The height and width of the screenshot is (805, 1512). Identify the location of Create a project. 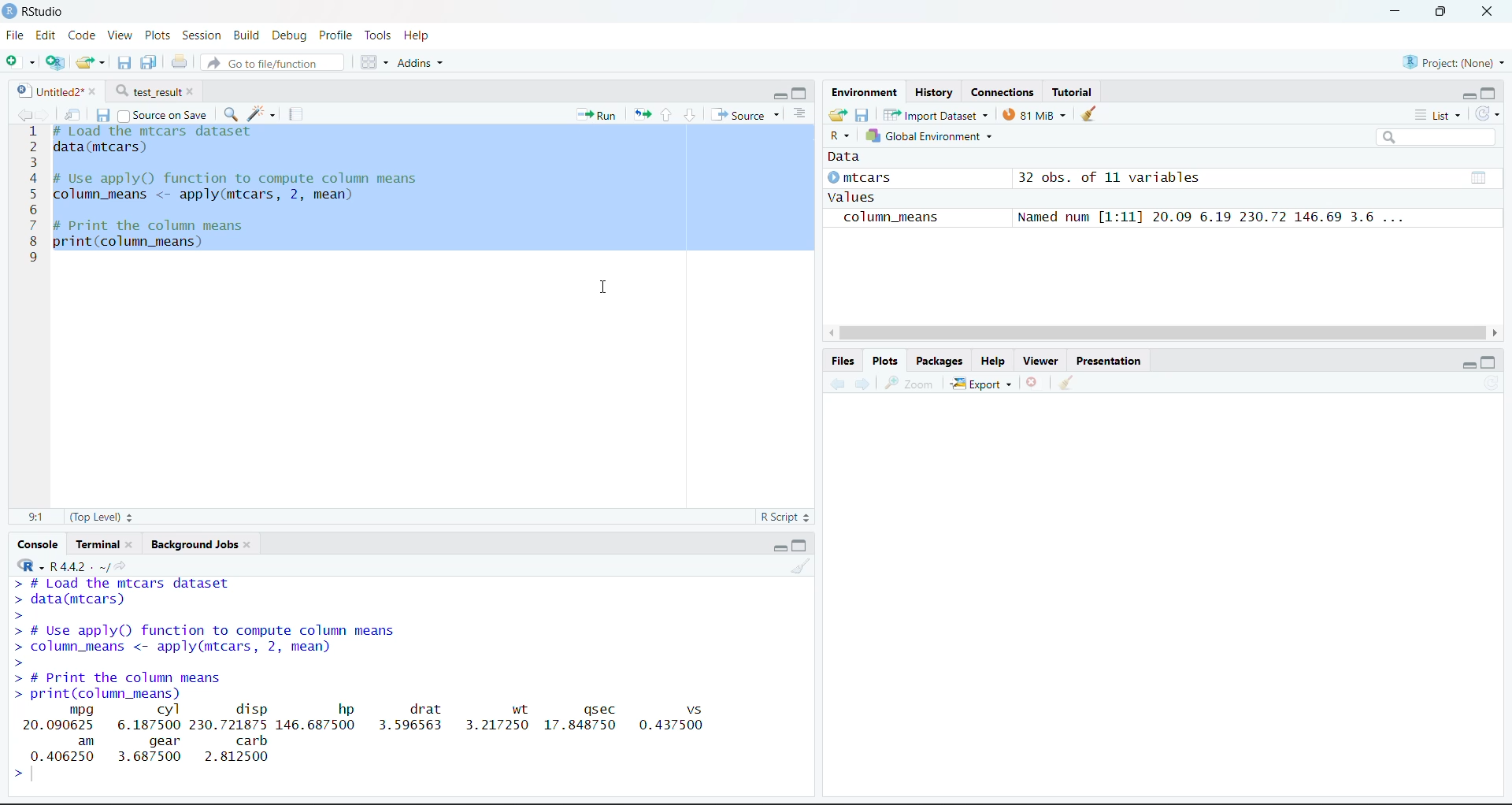
(54, 62).